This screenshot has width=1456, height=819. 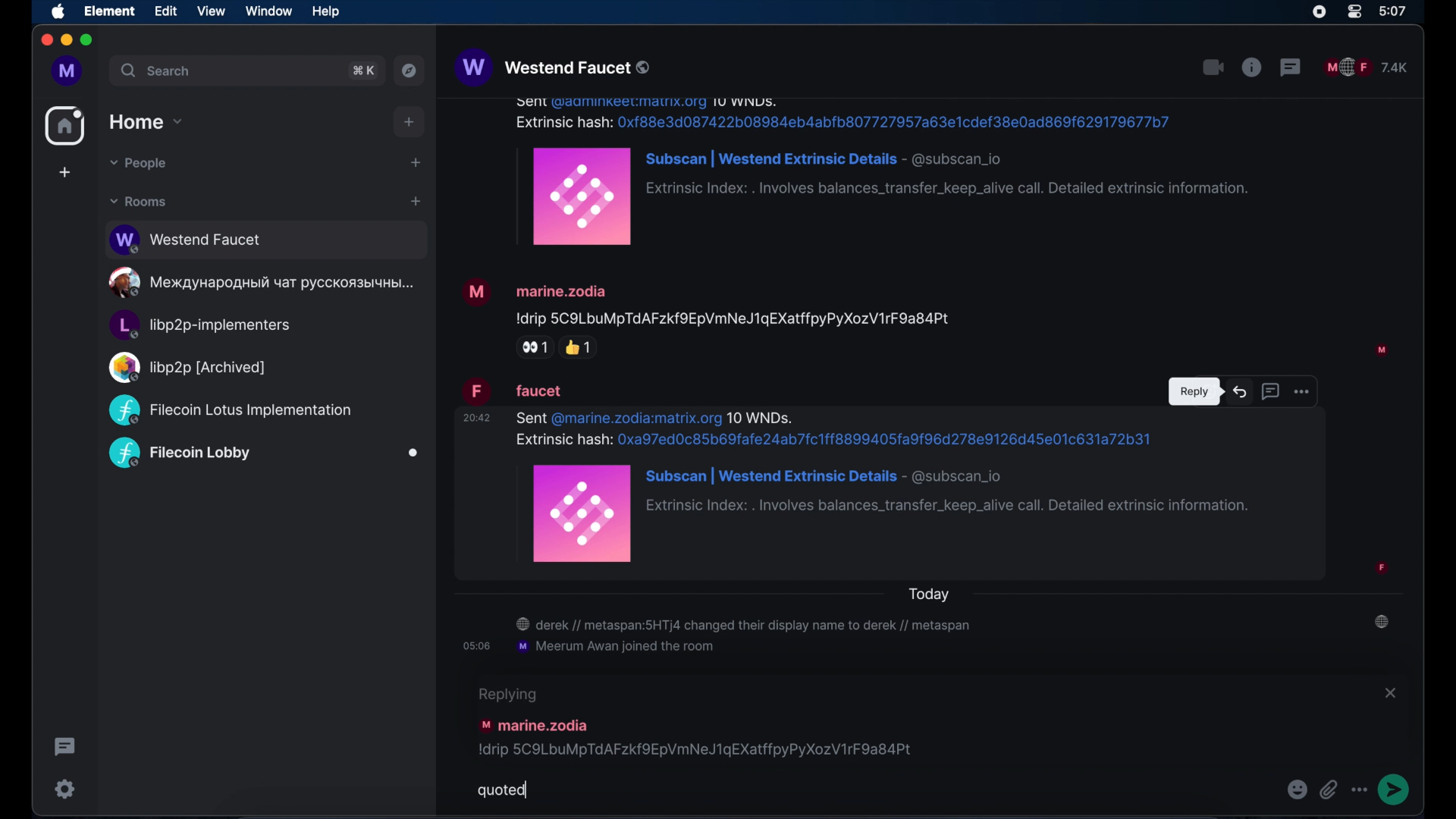 I want to click on public room, so click(x=200, y=326).